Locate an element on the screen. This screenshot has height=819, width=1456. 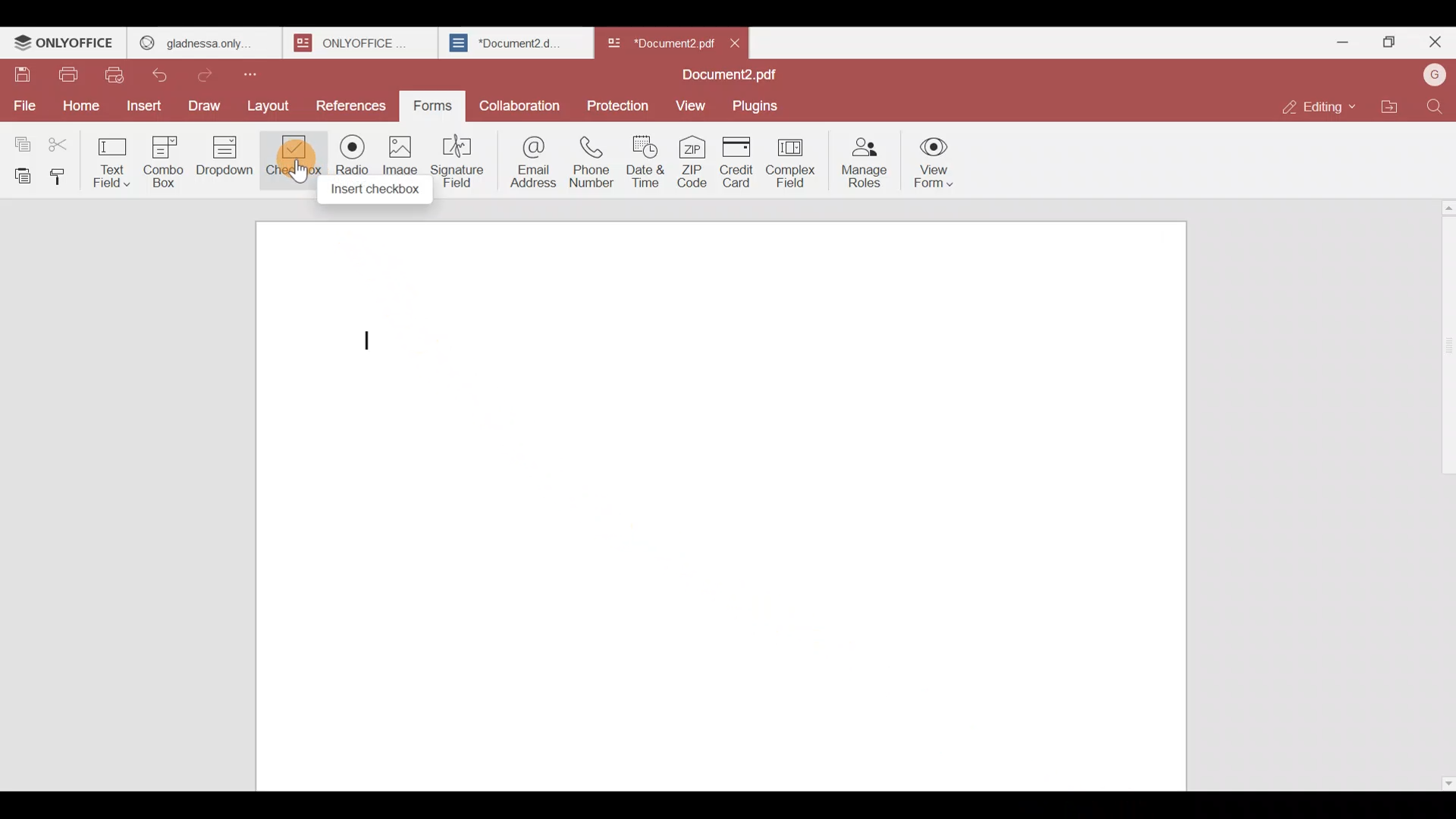
Working area is located at coordinates (714, 507).